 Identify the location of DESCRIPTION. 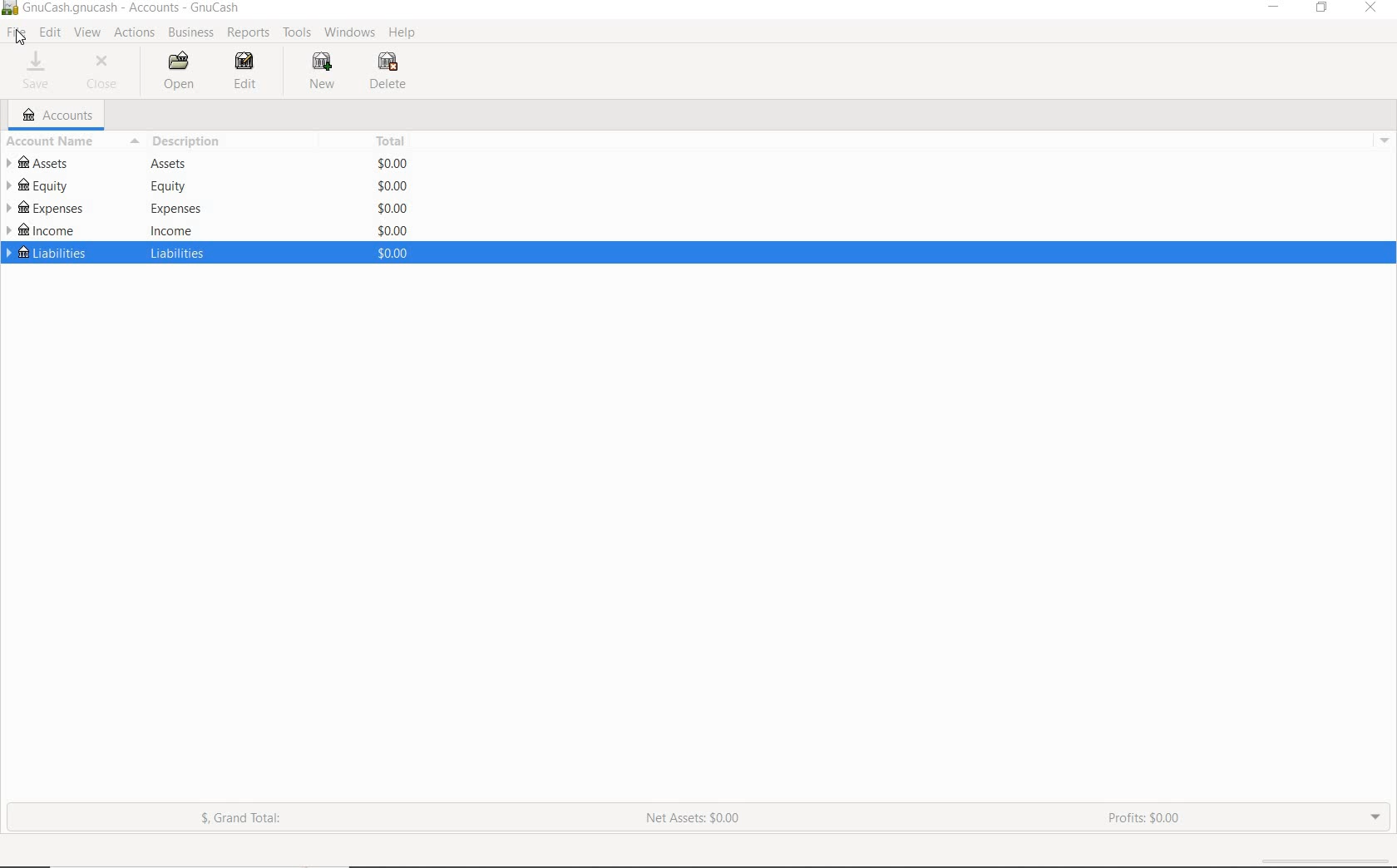
(182, 142).